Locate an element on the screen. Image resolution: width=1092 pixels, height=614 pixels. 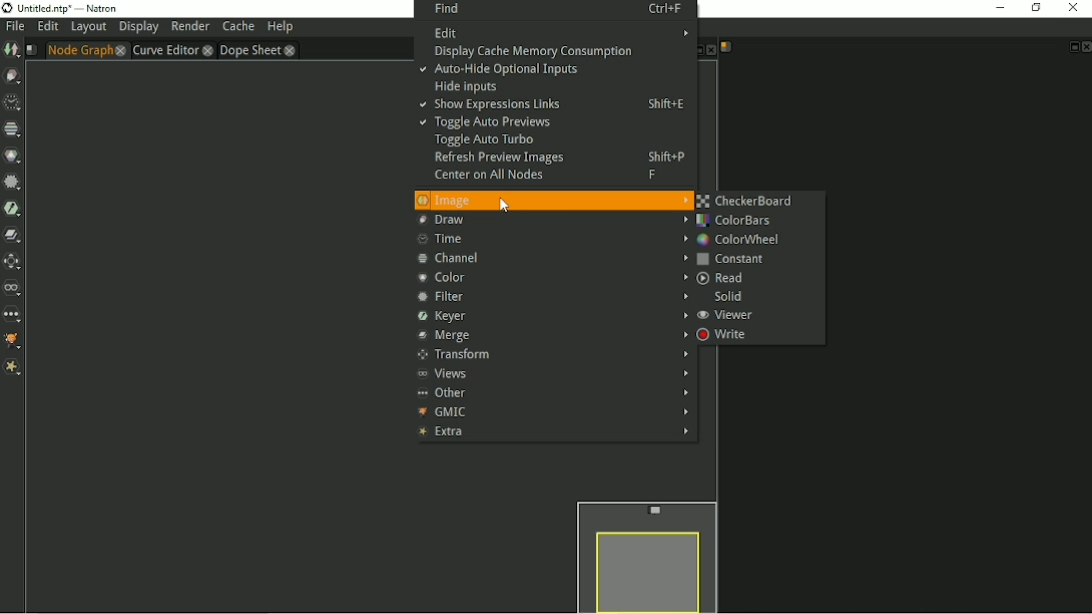
Filter is located at coordinates (12, 182).